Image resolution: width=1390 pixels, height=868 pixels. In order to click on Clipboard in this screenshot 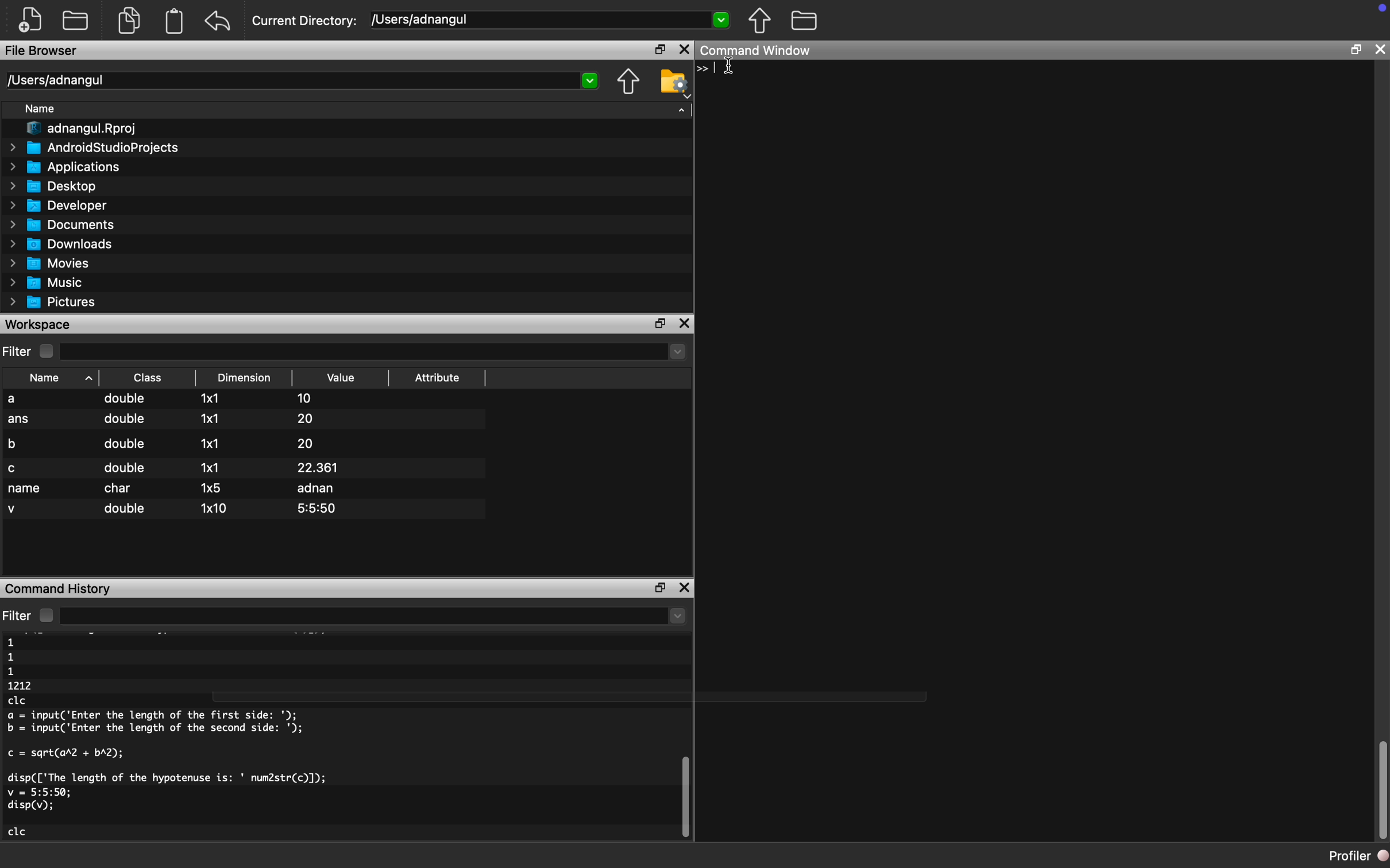, I will do `click(173, 21)`.